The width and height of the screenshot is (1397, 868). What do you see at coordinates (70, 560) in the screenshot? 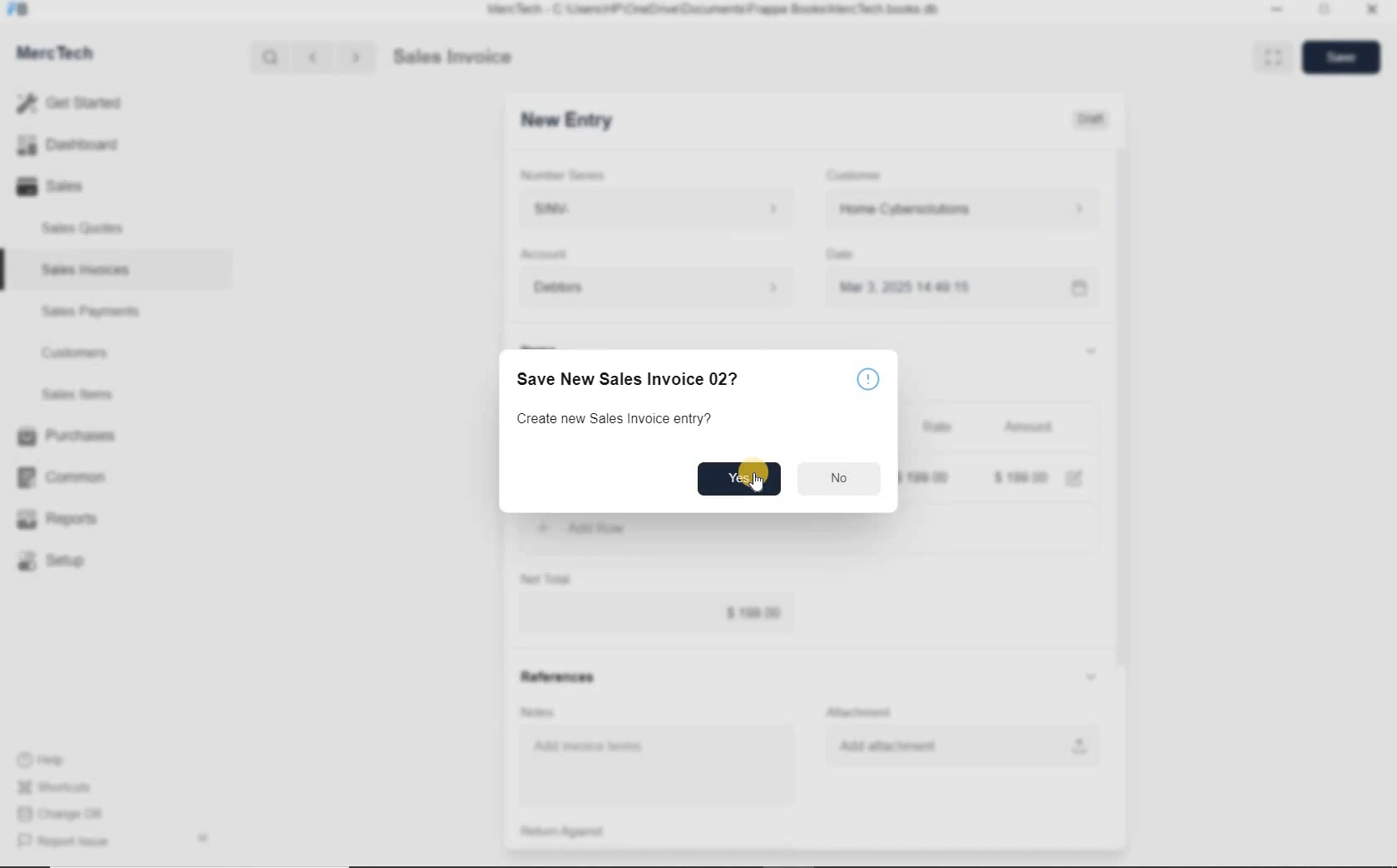
I see `Setup` at bounding box center [70, 560].